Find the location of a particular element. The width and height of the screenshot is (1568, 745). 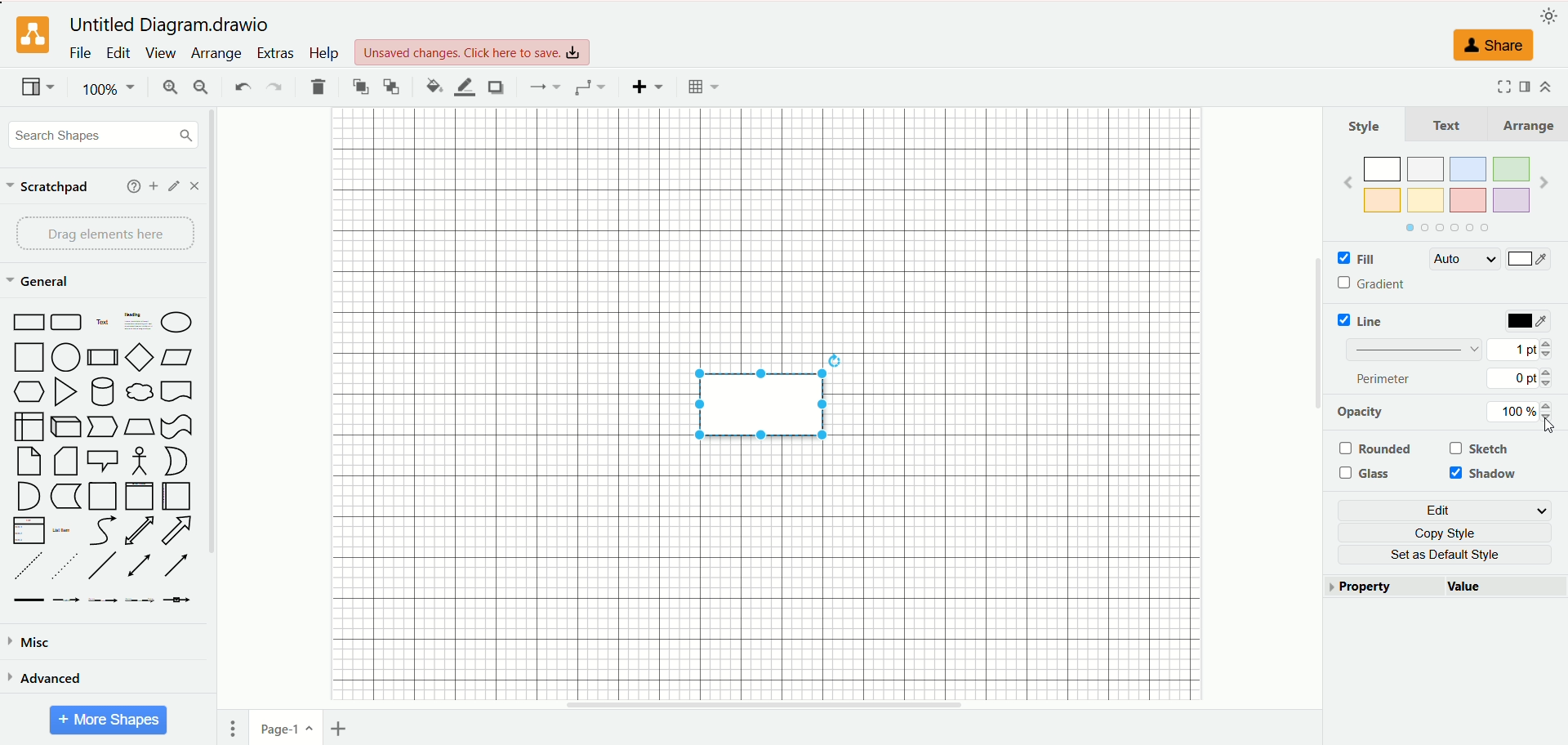

style is located at coordinates (1365, 126).